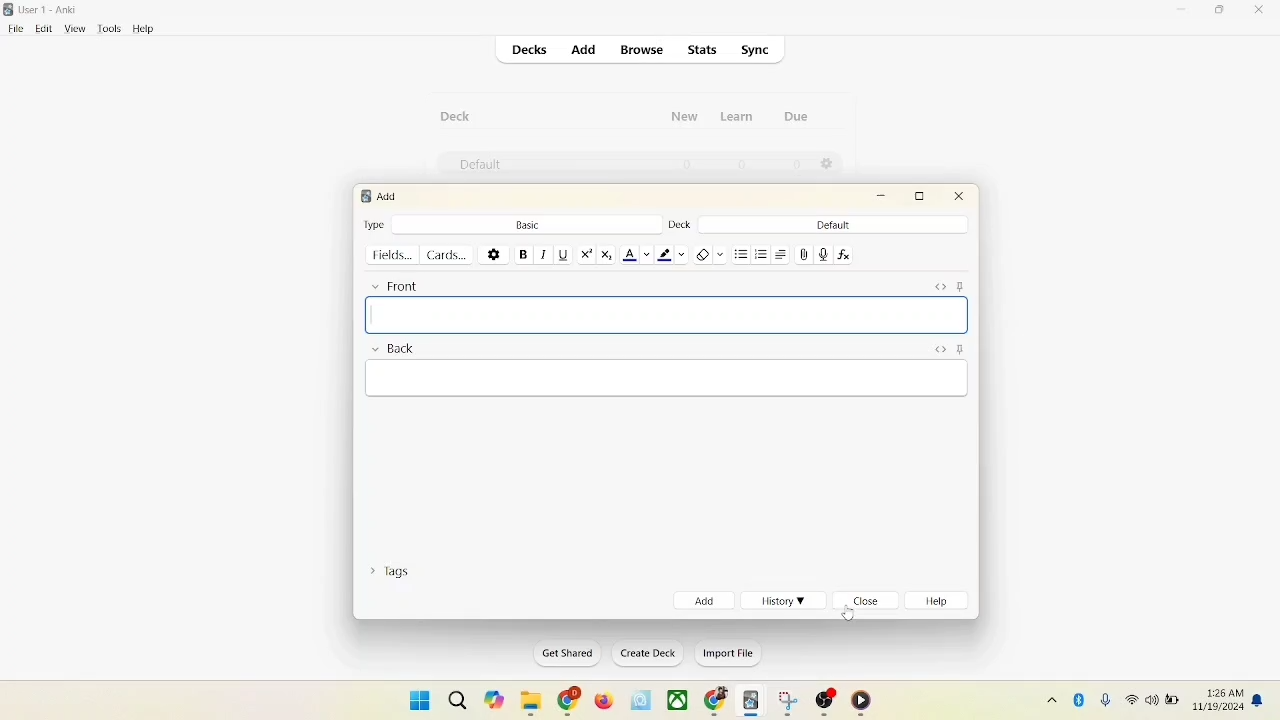 Image resolution: width=1280 pixels, height=720 pixels. I want to click on new, so click(685, 119).